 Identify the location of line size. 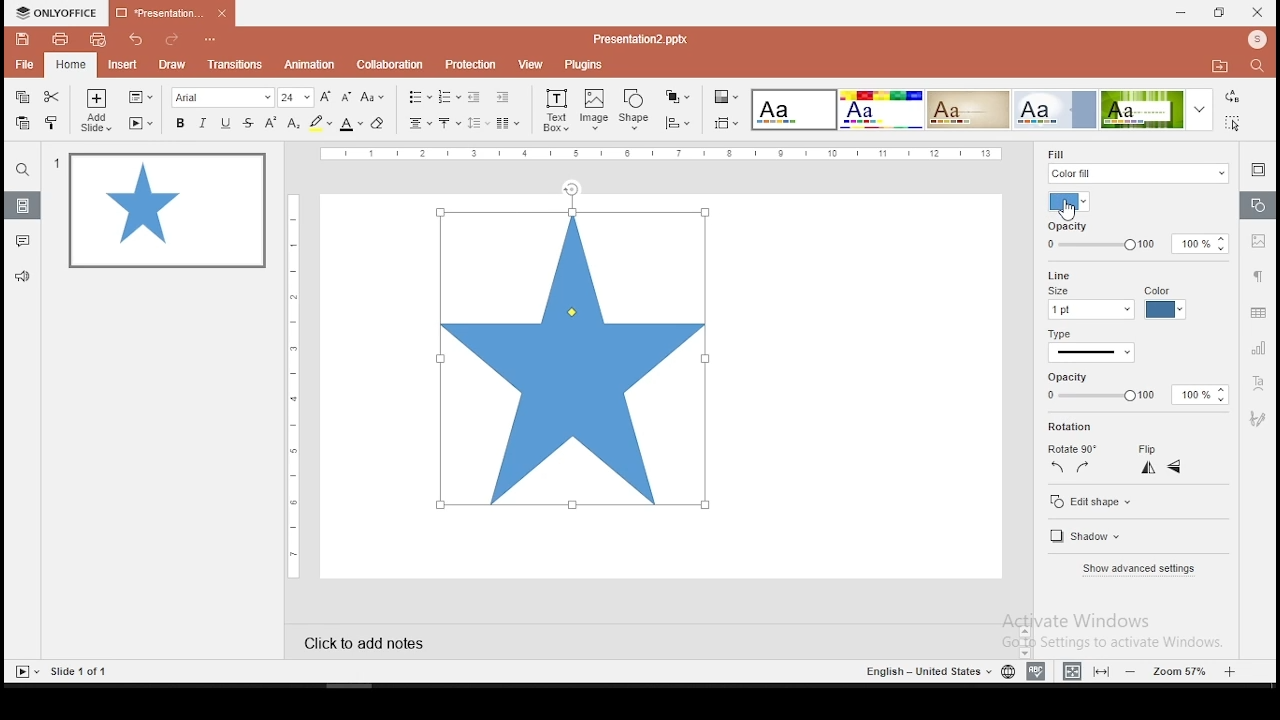
(1092, 304).